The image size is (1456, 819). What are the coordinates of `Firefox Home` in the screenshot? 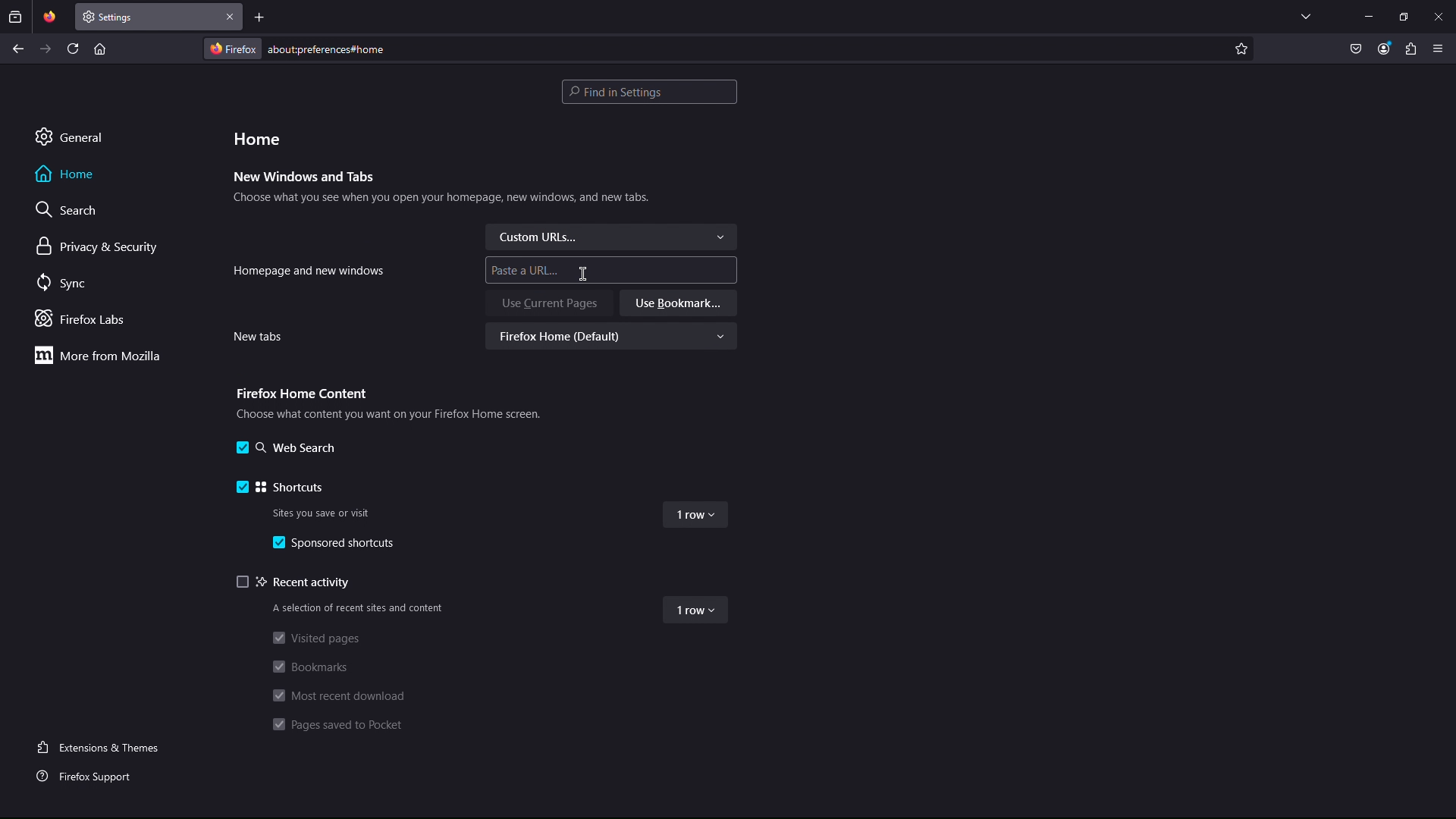 It's located at (610, 336).